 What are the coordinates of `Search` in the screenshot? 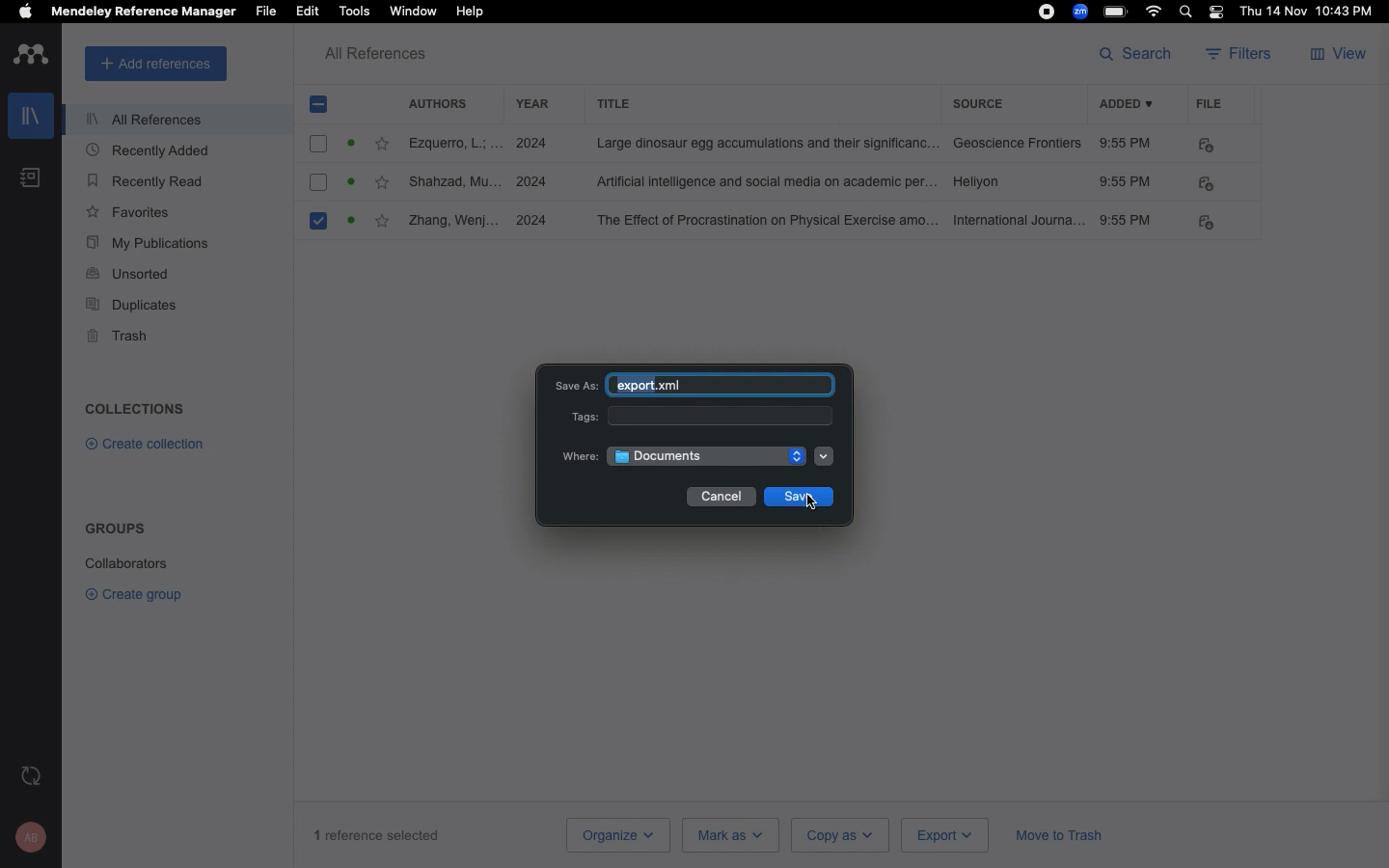 It's located at (1188, 12).